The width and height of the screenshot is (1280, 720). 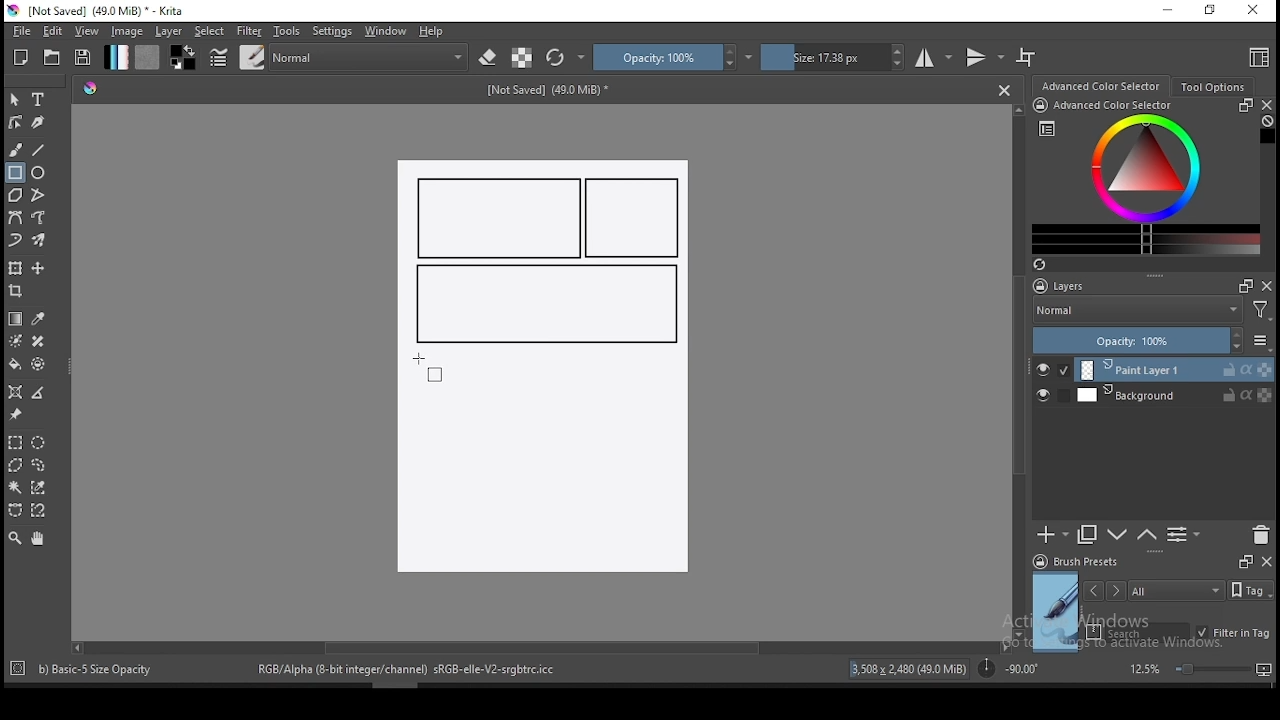 What do you see at coordinates (40, 242) in the screenshot?
I see `multibrush tool` at bounding box center [40, 242].